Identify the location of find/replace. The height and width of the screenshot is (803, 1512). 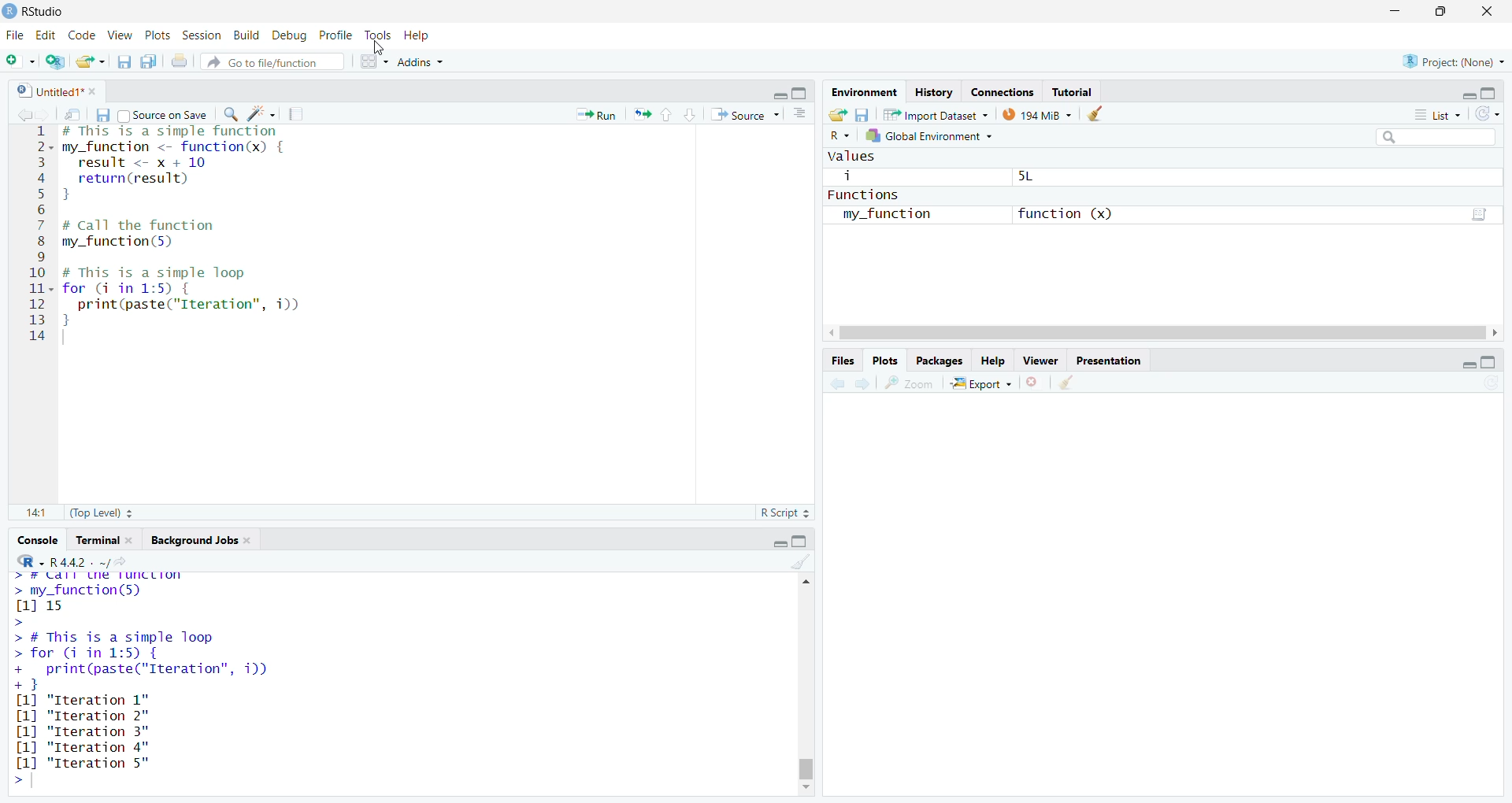
(228, 114).